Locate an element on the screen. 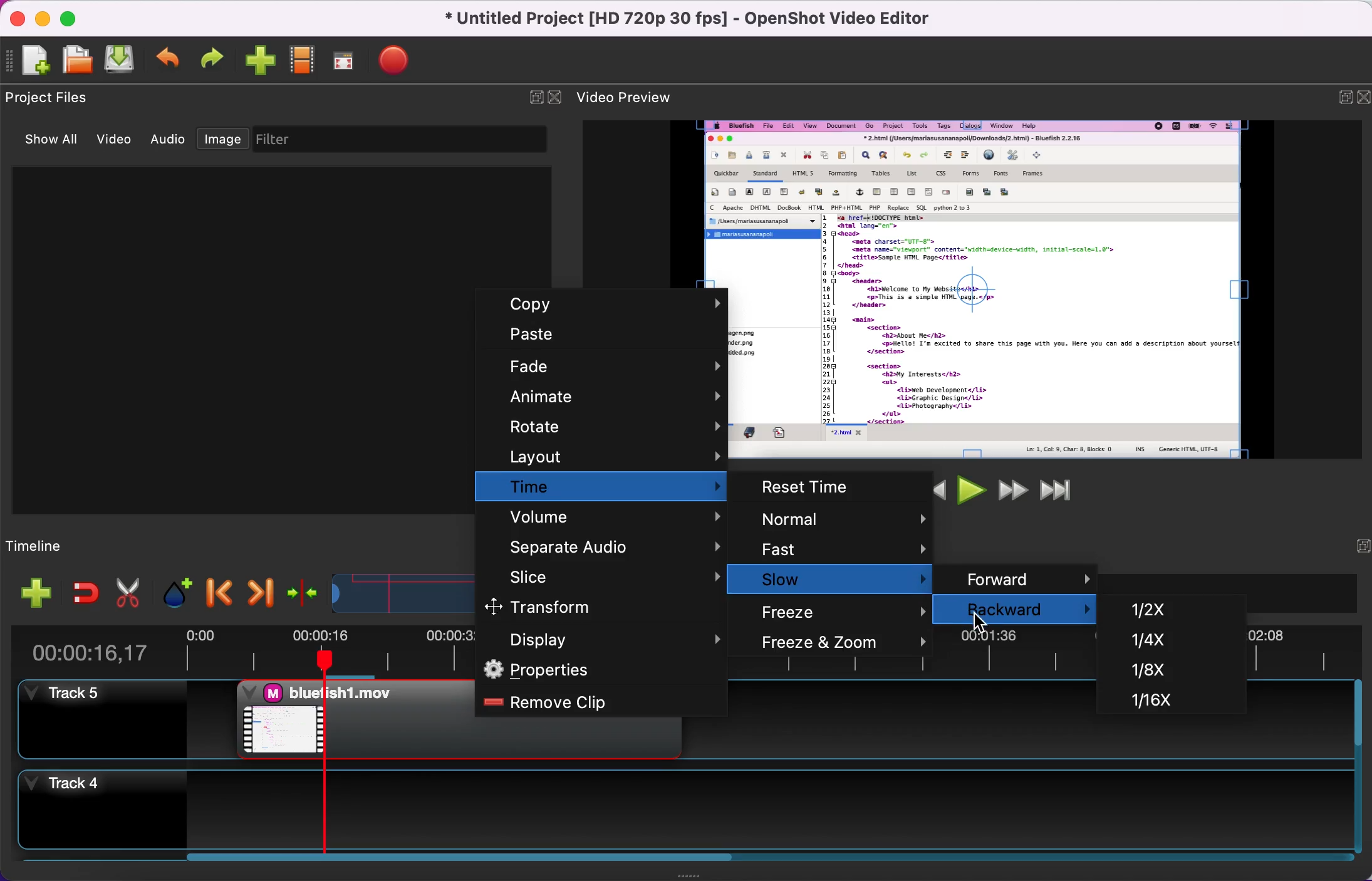  volume is located at coordinates (603, 516).